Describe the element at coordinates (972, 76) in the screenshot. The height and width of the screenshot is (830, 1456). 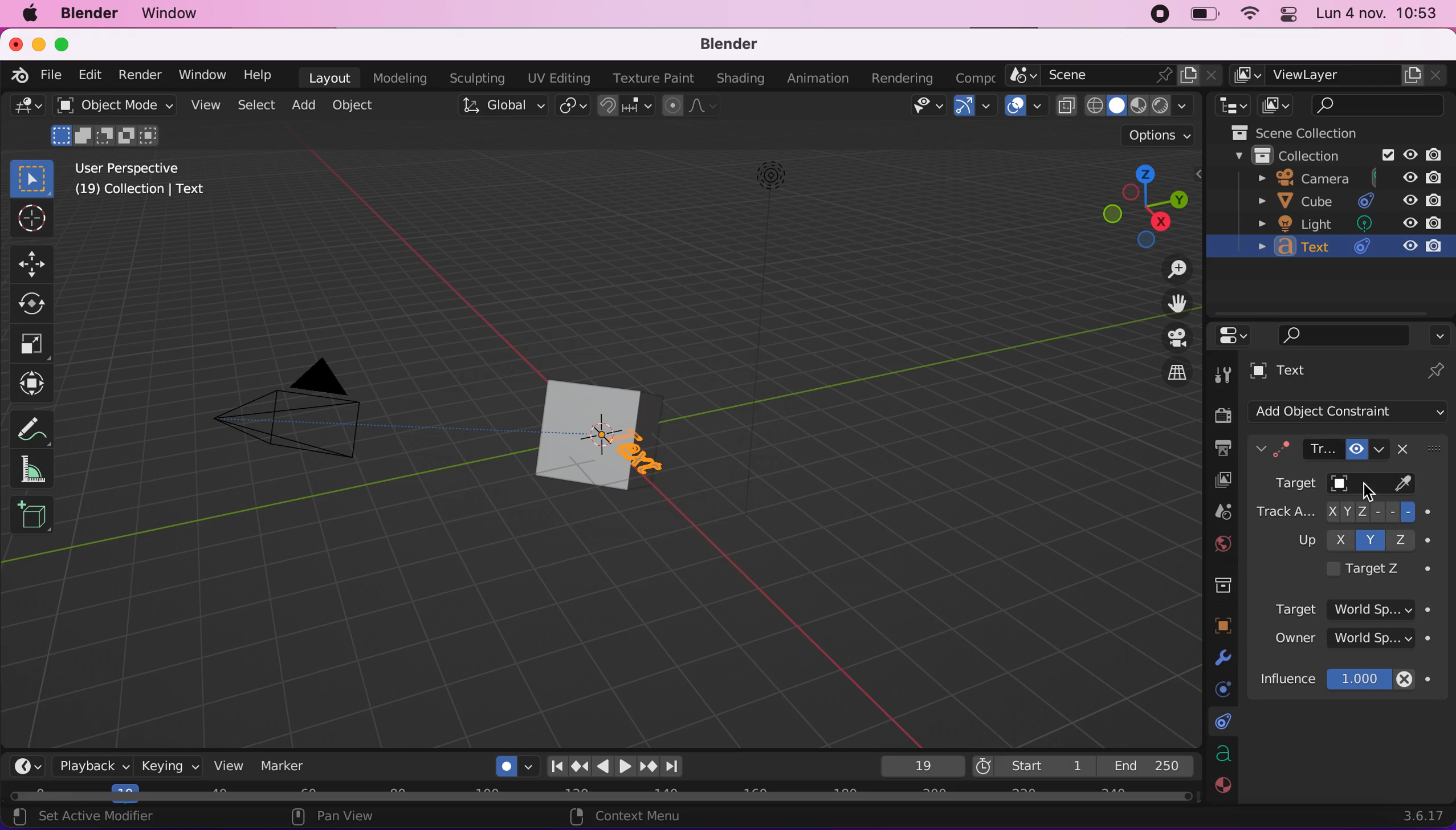
I see `composting` at that location.